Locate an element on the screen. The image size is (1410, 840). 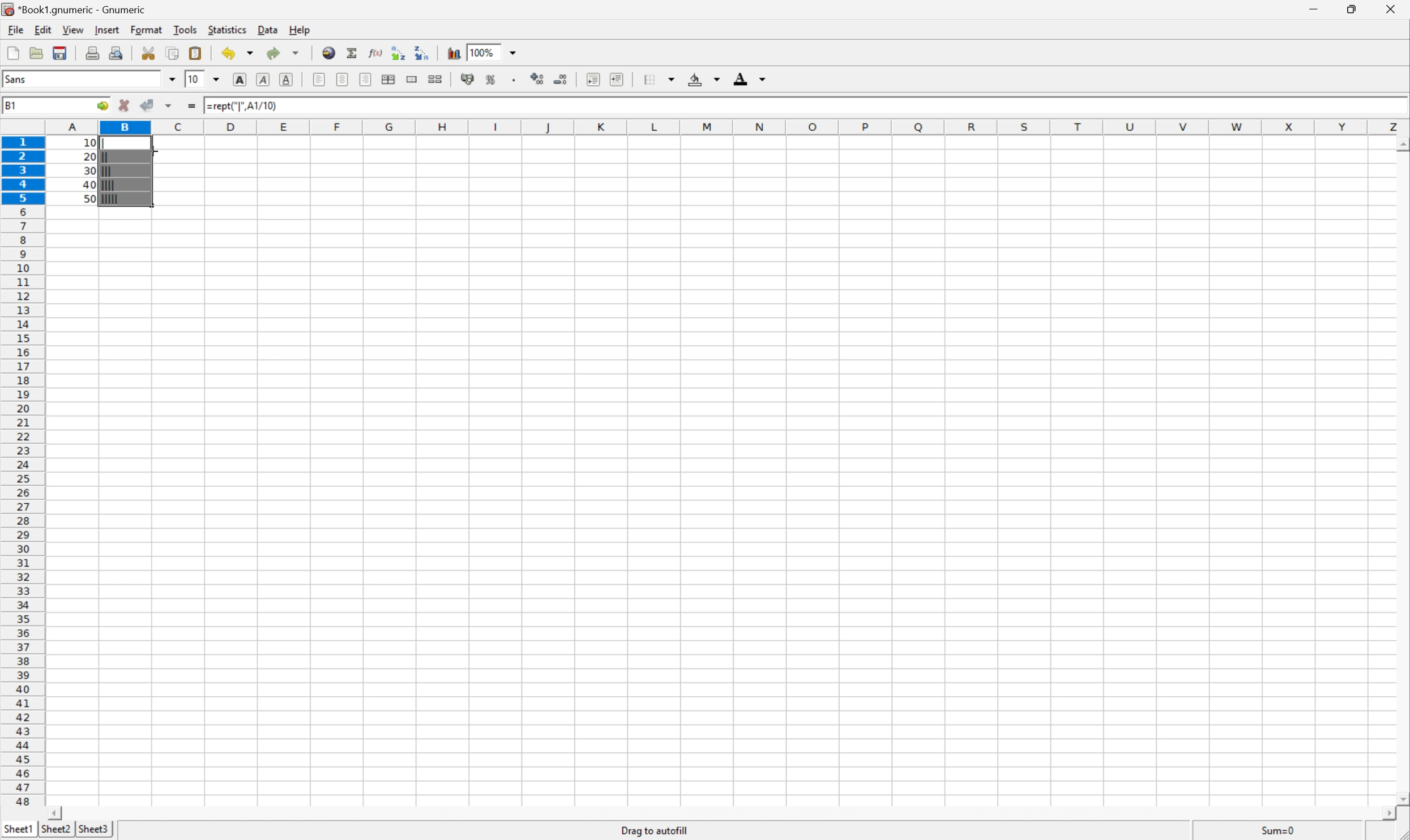
Sheet3 is located at coordinates (93, 830).